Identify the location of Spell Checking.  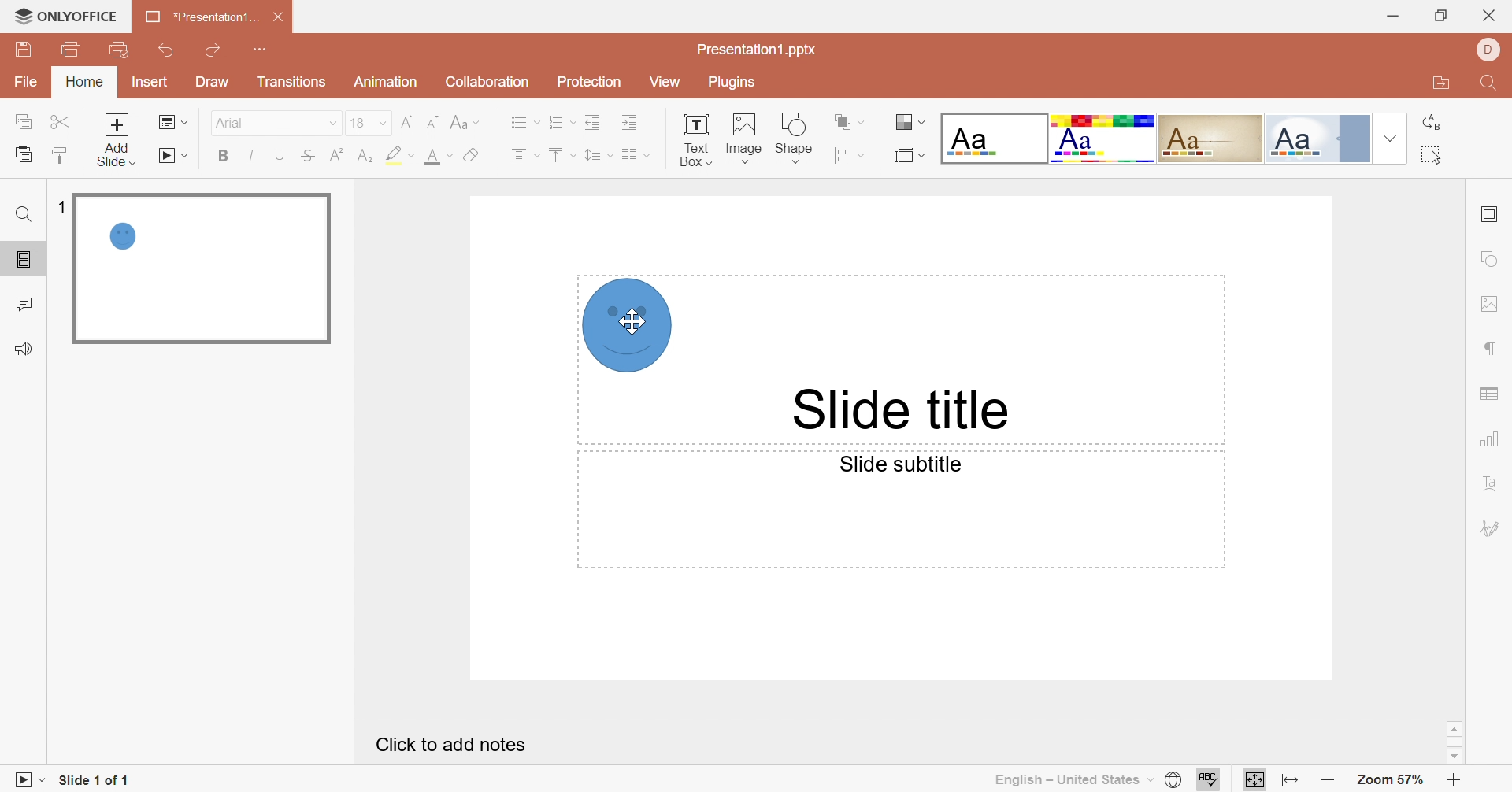
(1210, 779).